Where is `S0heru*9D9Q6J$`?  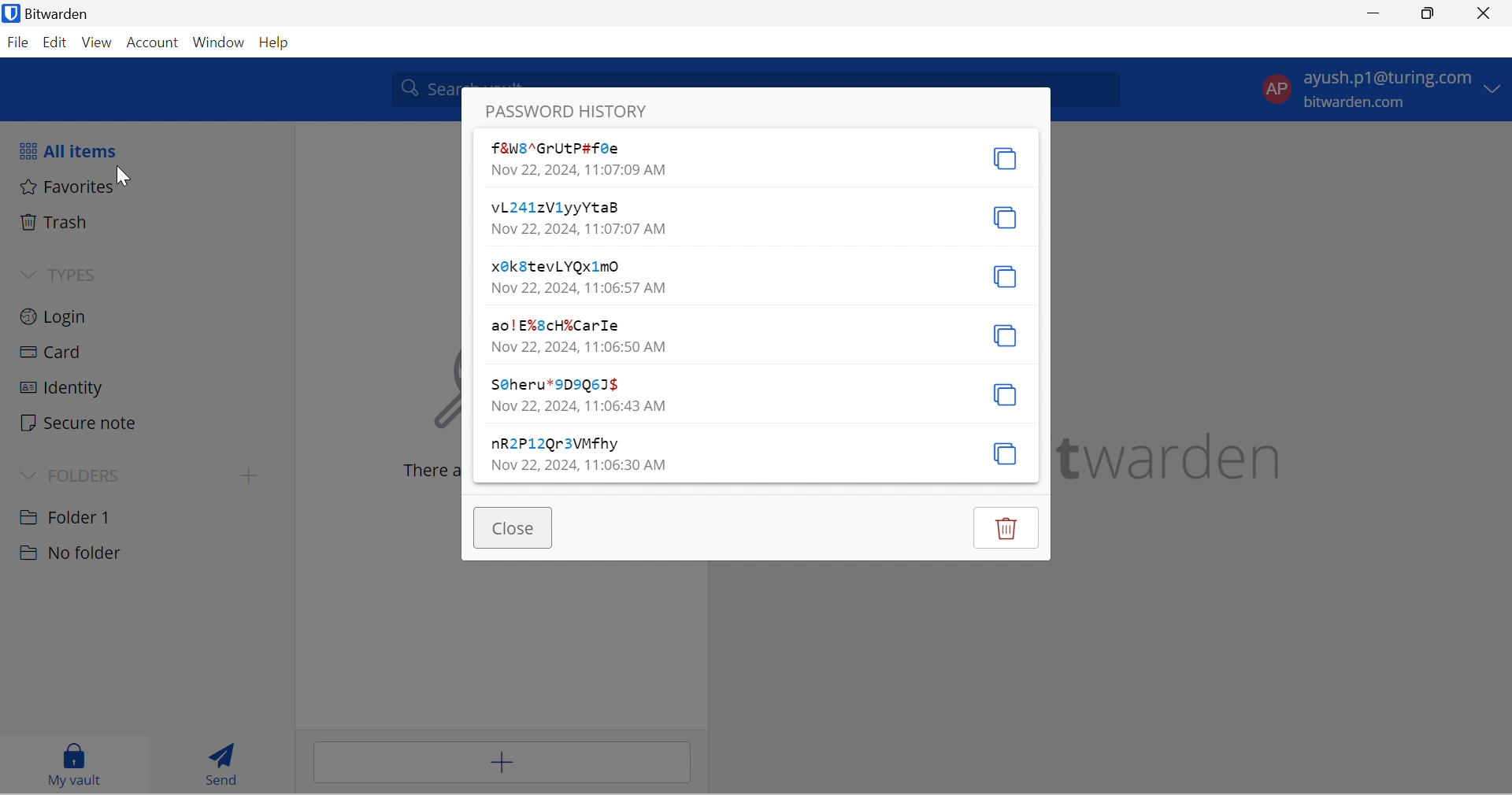
S0heru*9D9Q6J$ is located at coordinates (554, 384).